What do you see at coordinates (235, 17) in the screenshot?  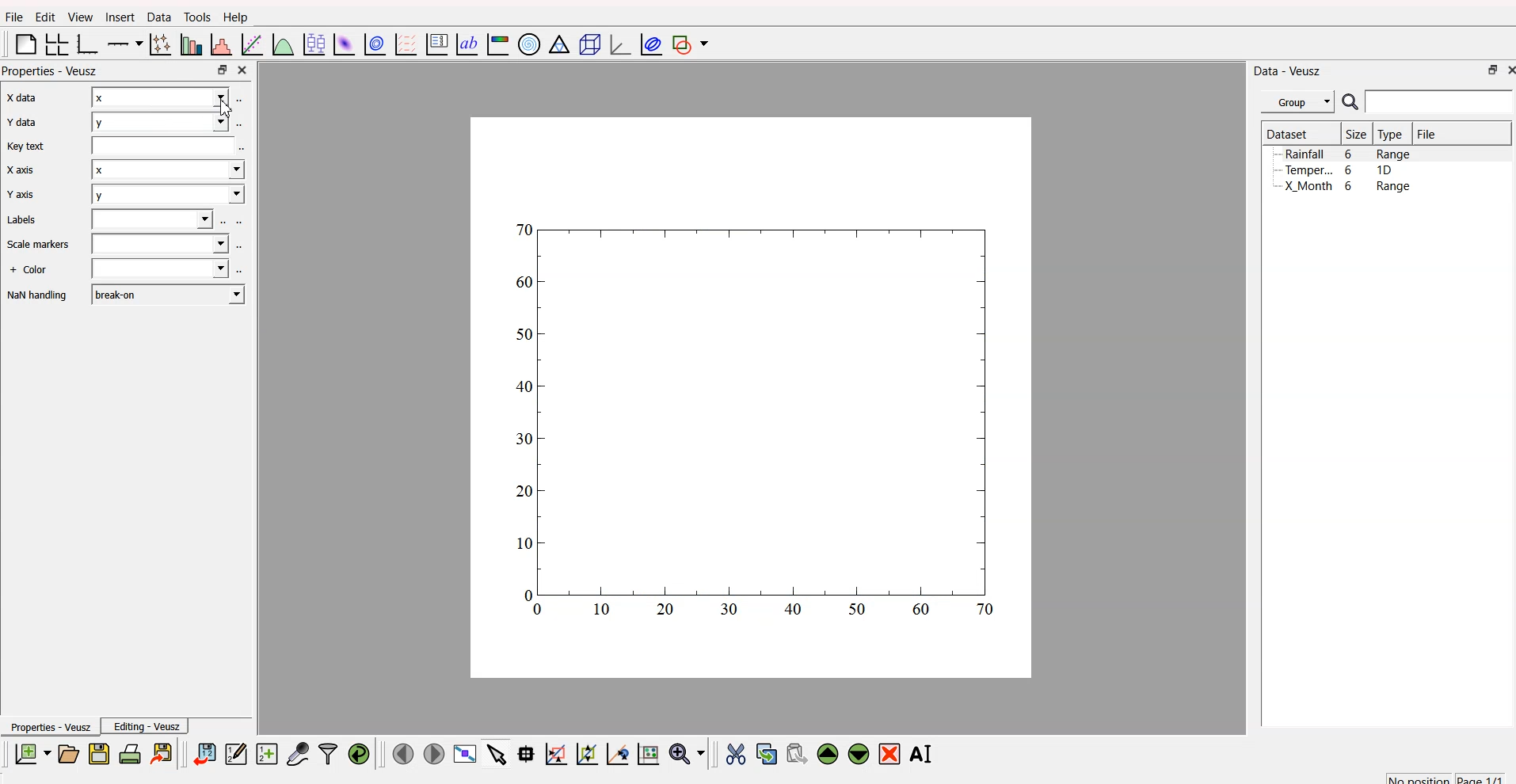 I see `Help` at bounding box center [235, 17].